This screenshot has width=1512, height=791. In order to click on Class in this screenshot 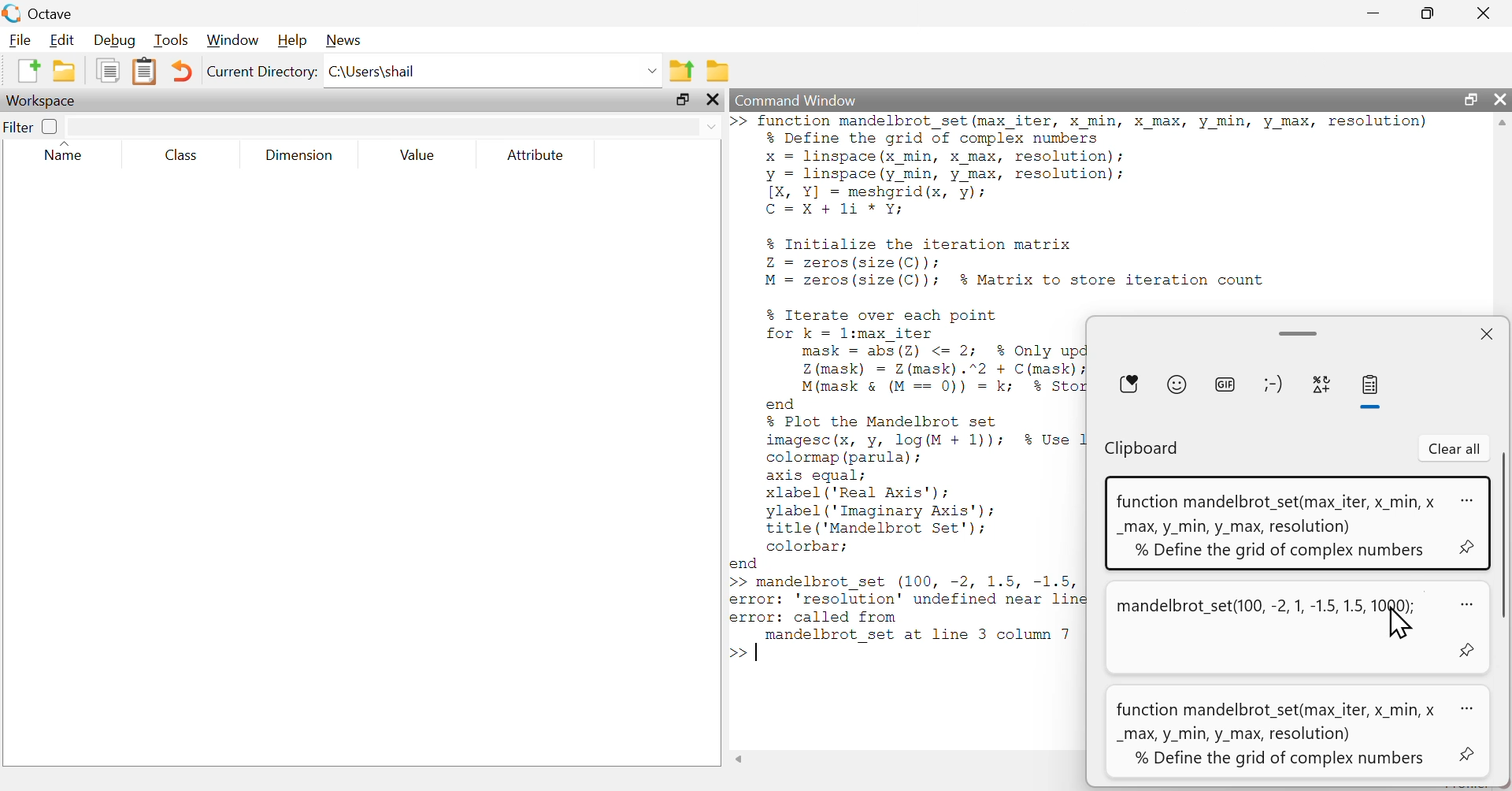, I will do `click(182, 154)`.